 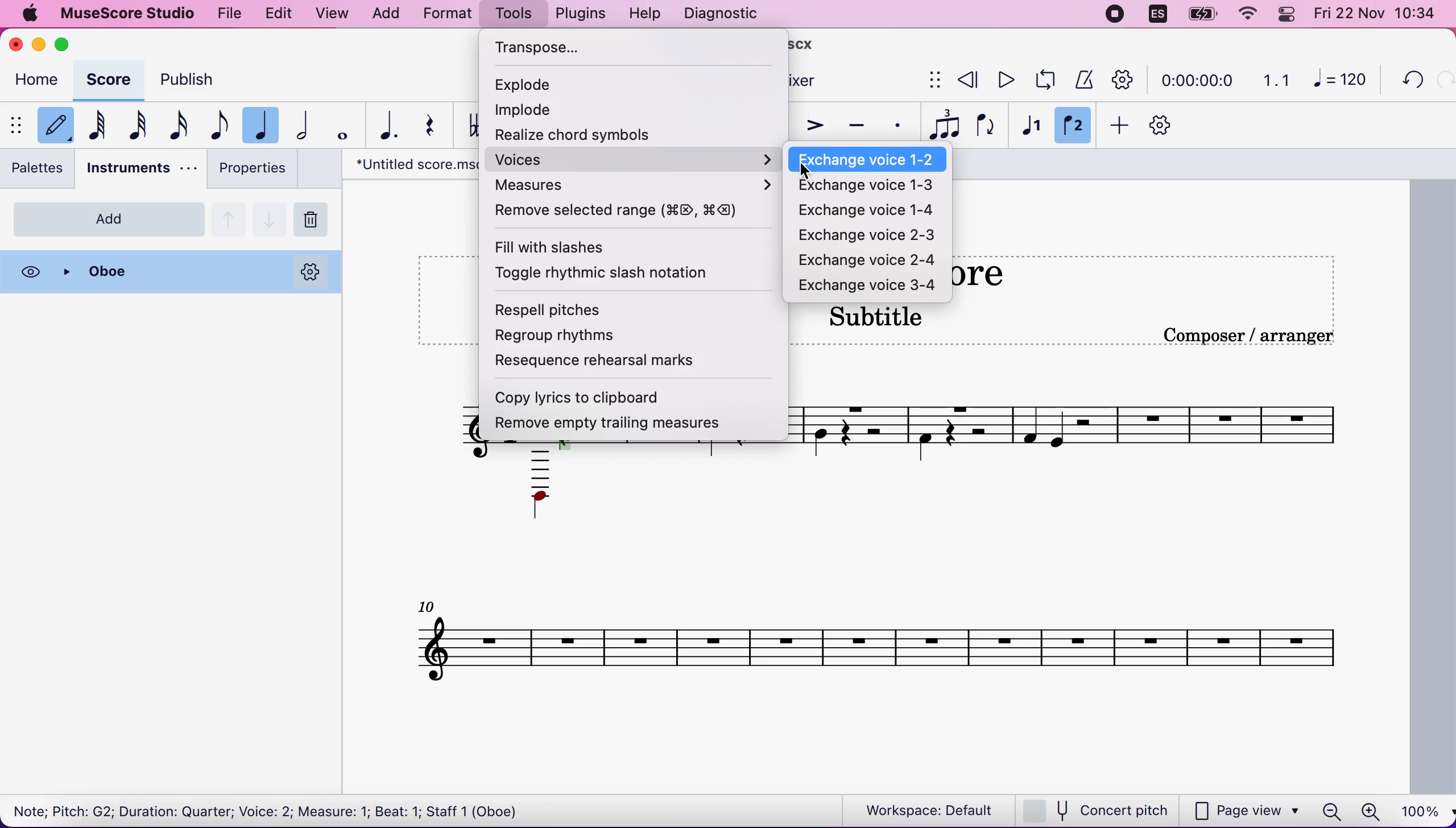 What do you see at coordinates (541, 111) in the screenshot?
I see `implode` at bounding box center [541, 111].